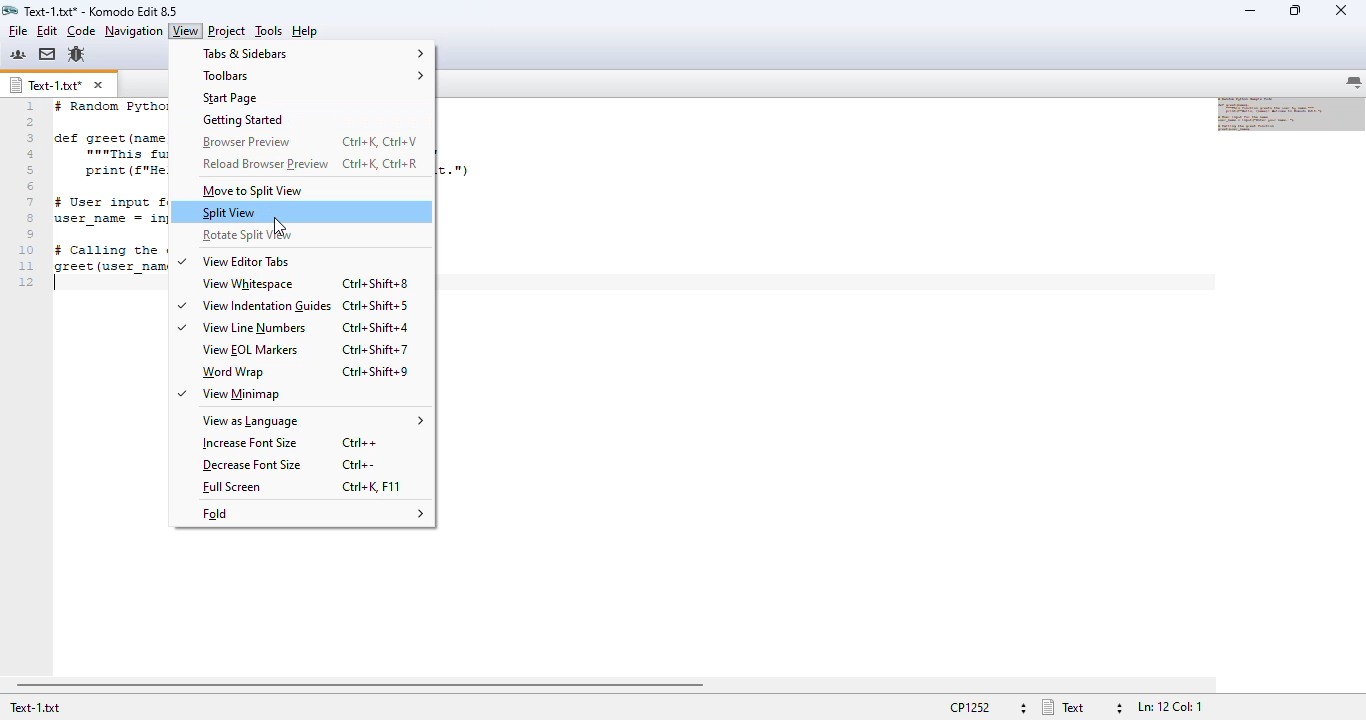 This screenshot has width=1366, height=720. Describe the element at coordinates (252, 465) in the screenshot. I see `decrease font size` at that location.